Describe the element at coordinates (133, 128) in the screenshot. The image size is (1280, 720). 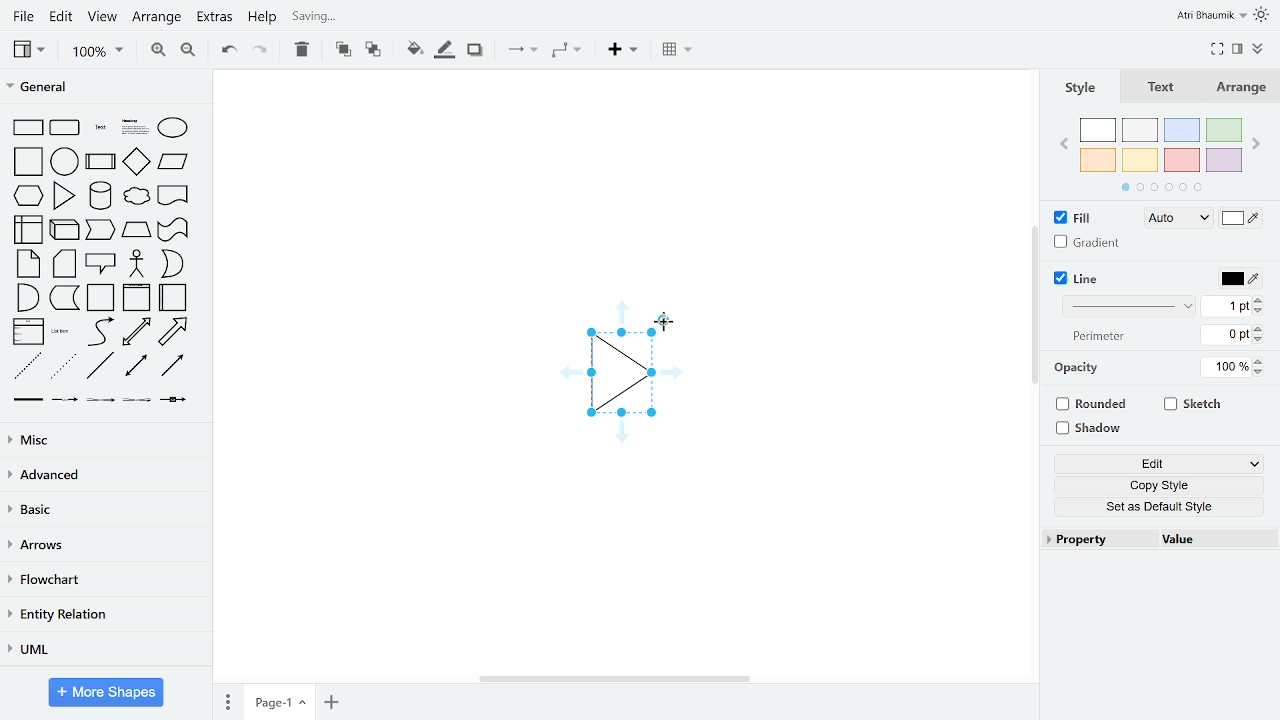
I see `heading` at that location.